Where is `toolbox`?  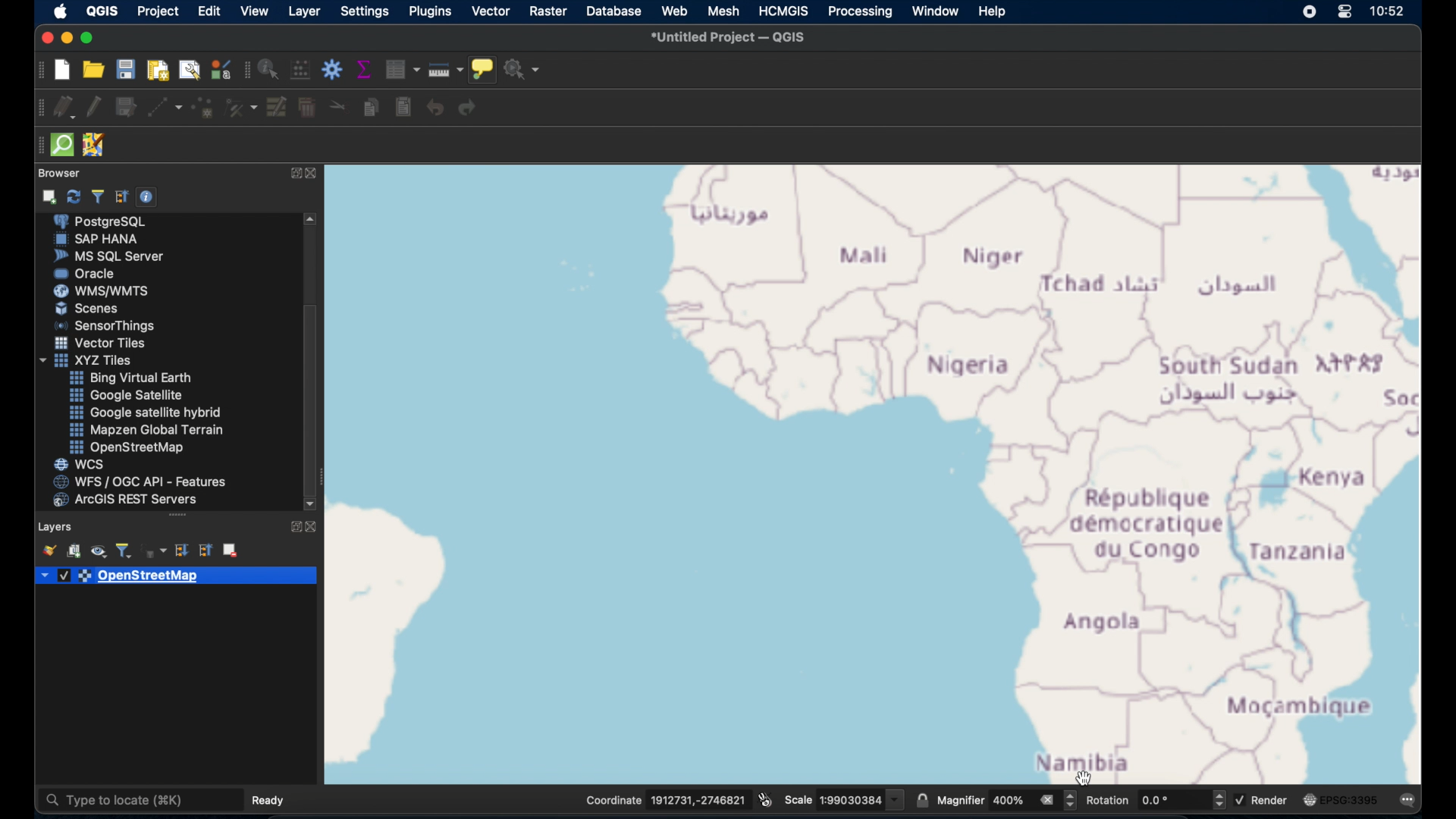
toolbox is located at coordinates (331, 70).